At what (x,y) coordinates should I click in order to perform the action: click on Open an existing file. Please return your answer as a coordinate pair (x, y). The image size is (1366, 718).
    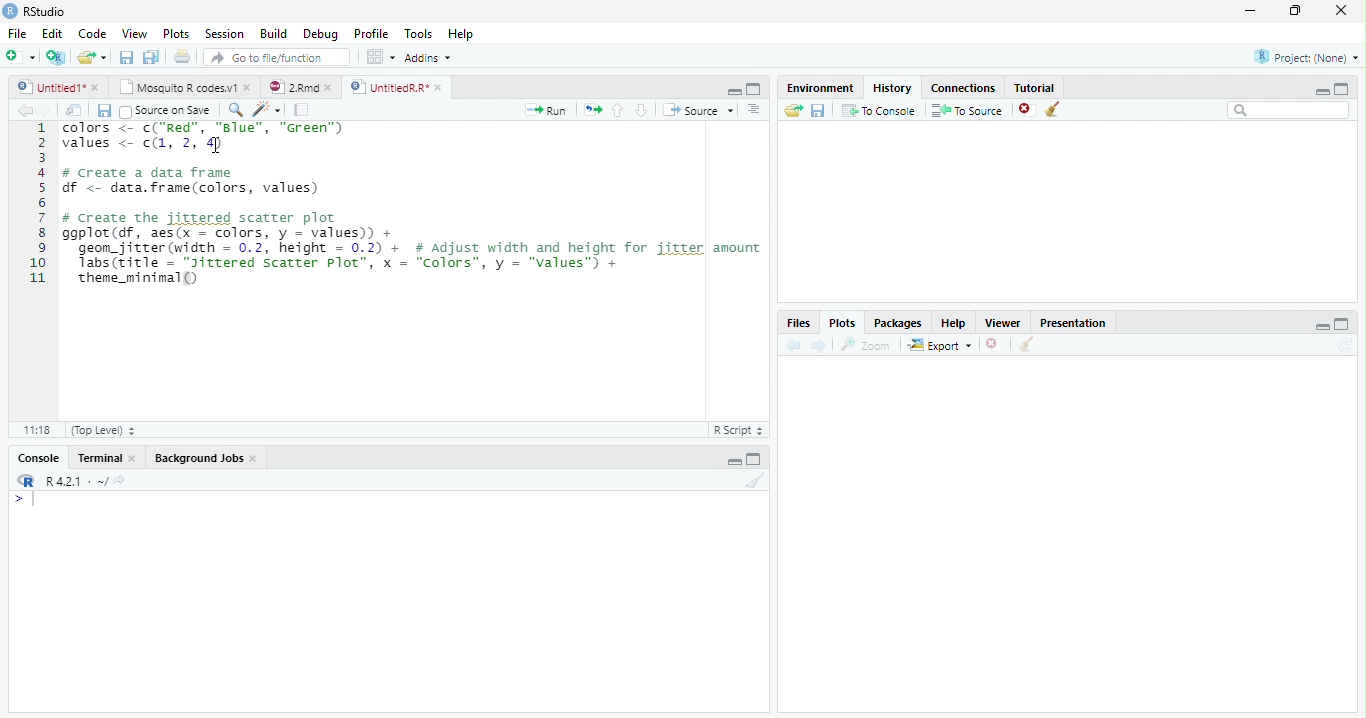
    Looking at the image, I should click on (84, 57).